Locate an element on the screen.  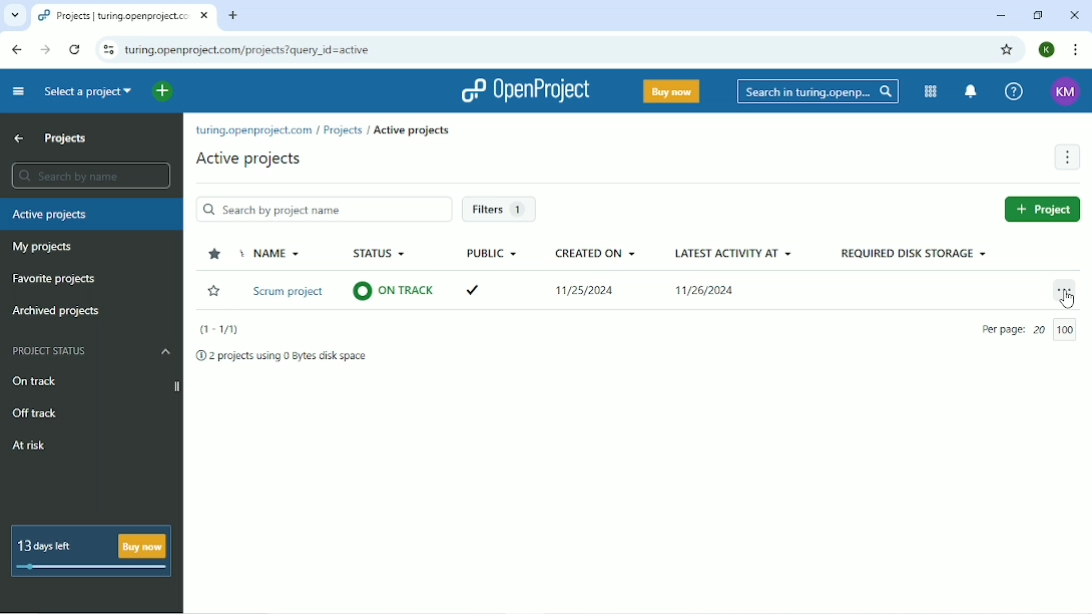
OpenProject is located at coordinates (529, 90).